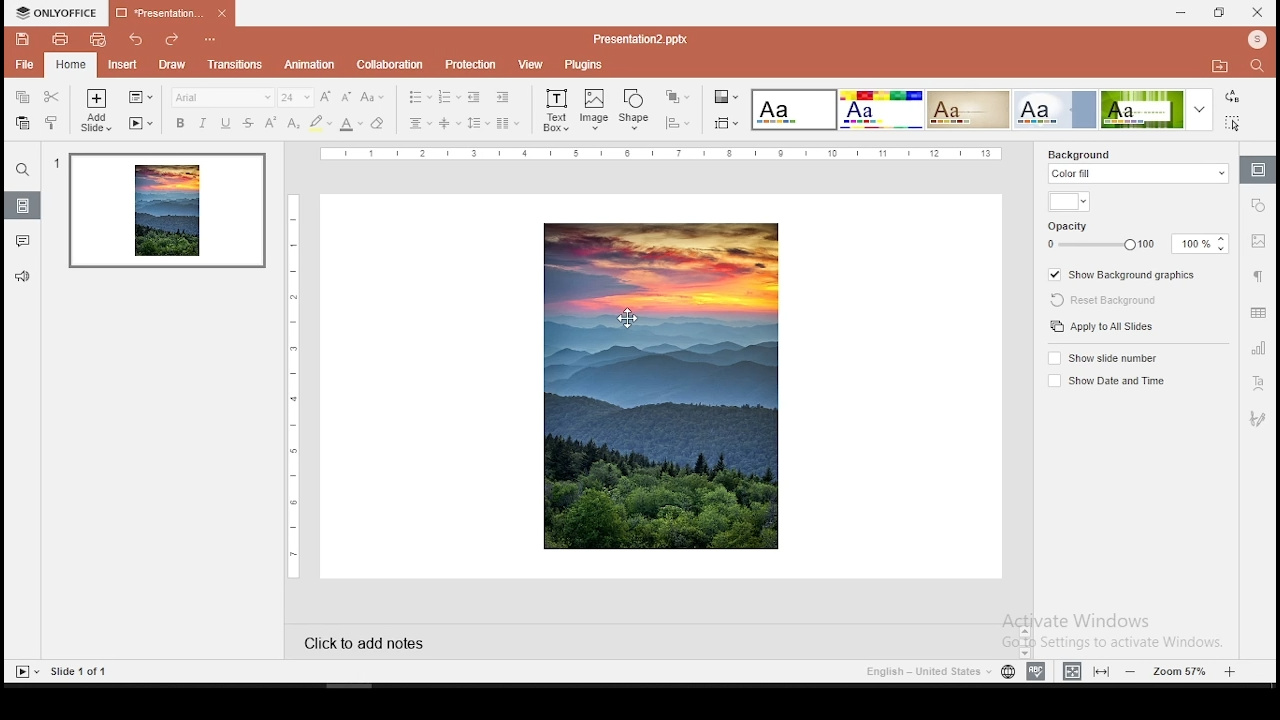 The image size is (1280, 720). What do you see at coordinates (393, 65) in the screenshot?
I see `collaboration` at bounding box center [393, 65].